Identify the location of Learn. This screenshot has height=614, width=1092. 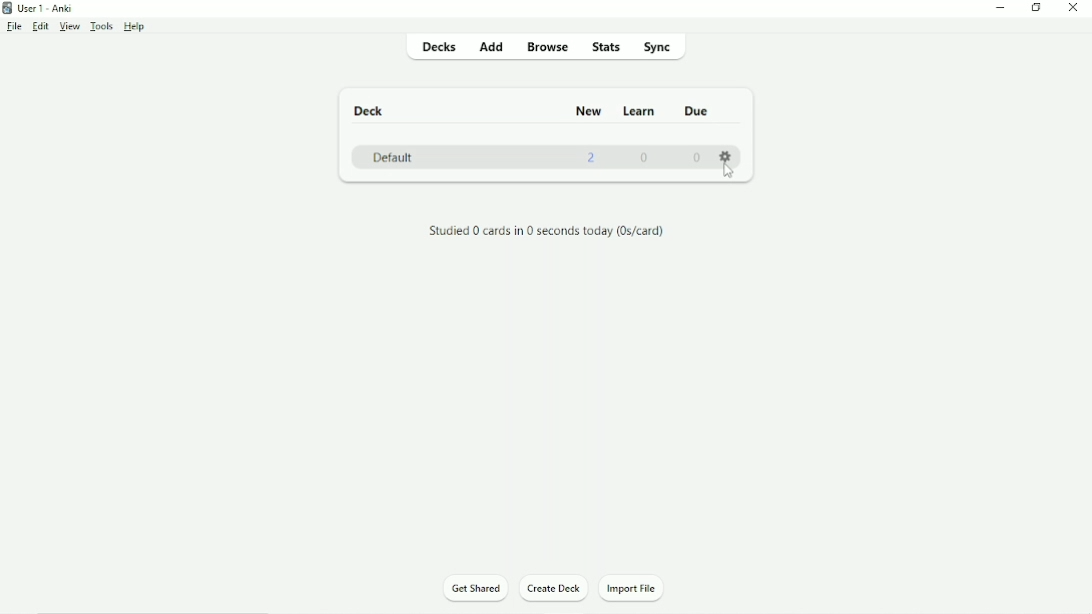
(638, 112).